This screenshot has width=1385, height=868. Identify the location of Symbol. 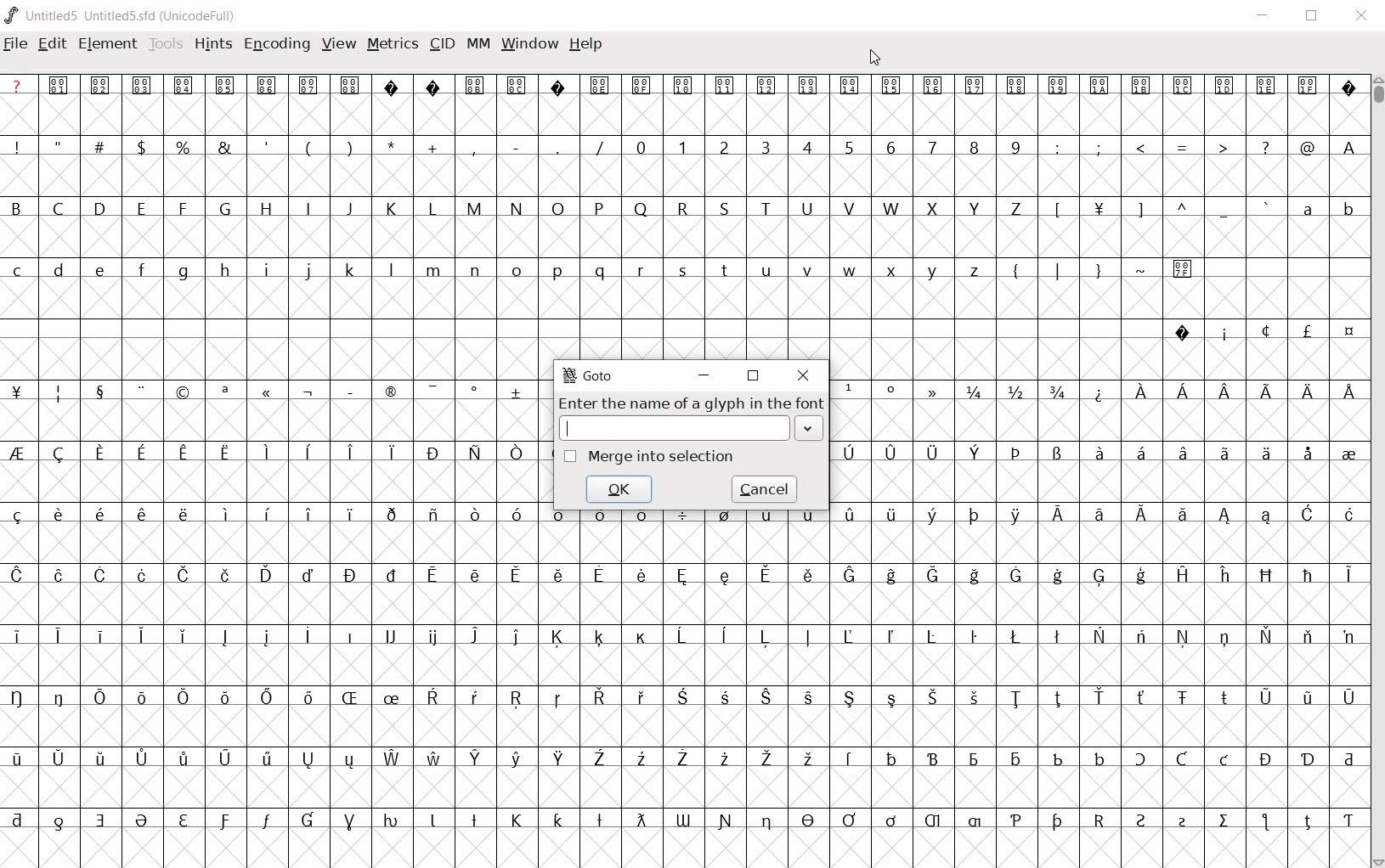
(848, 450).